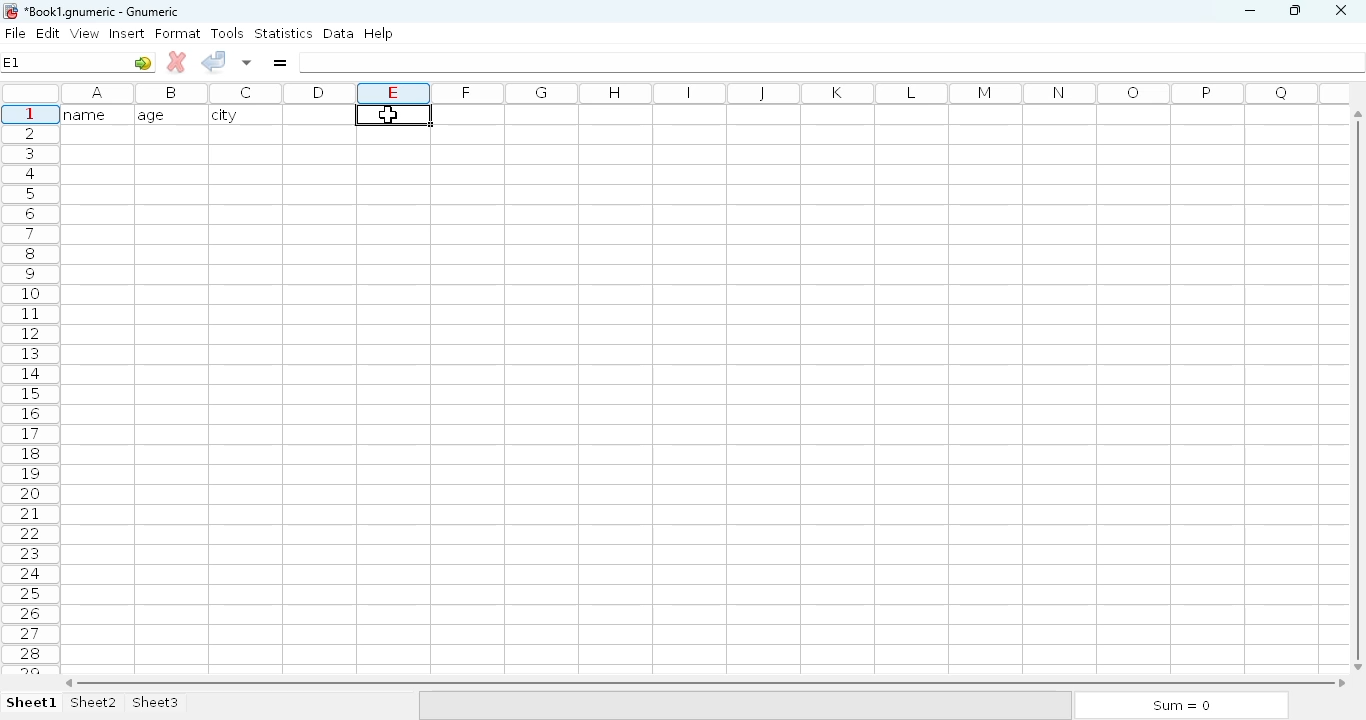  What do you see at coordinates (229, 115) in the screenshot?
I see `city (heading)` at bounding box center [229, 115].